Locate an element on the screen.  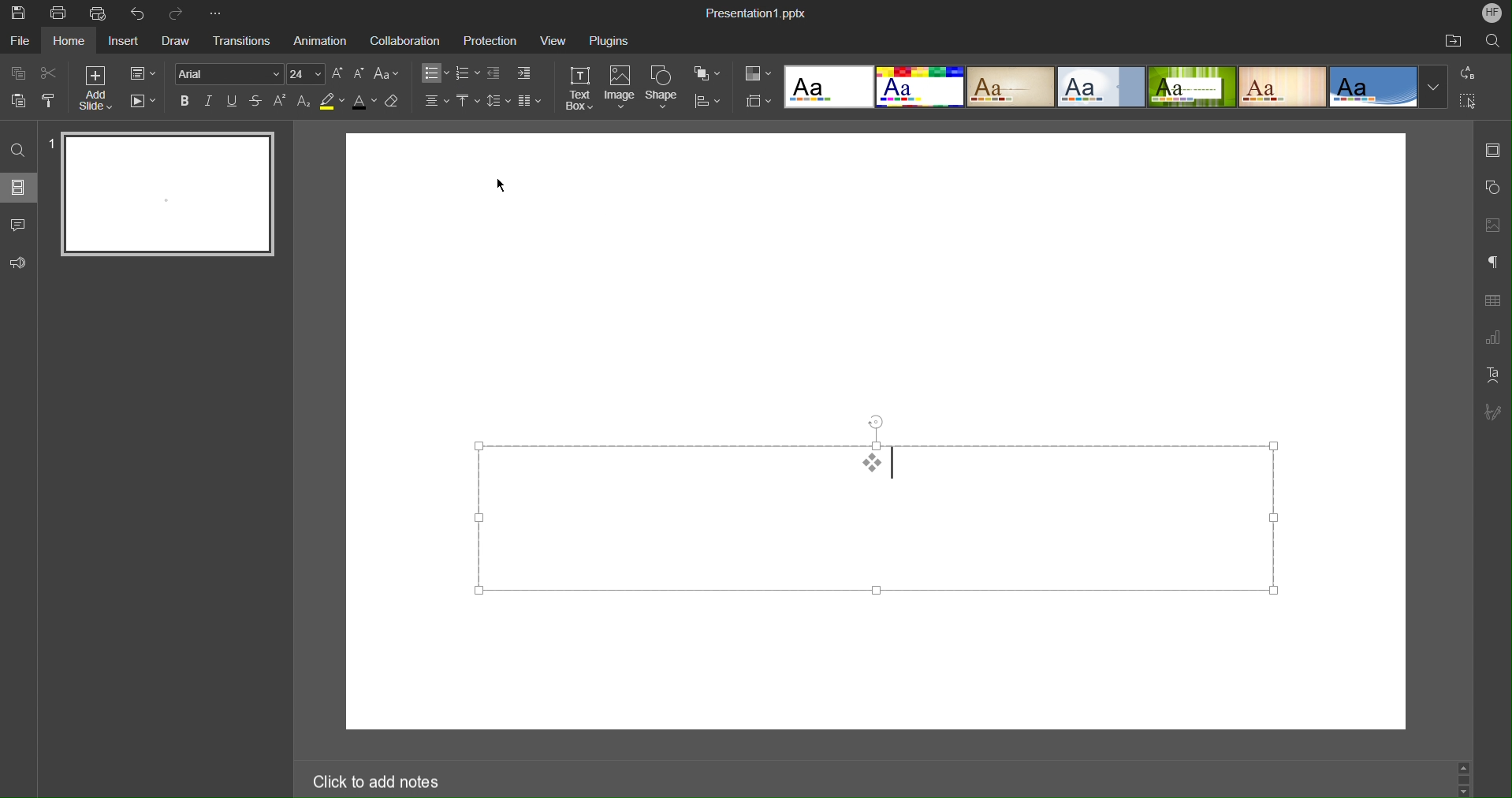
template is located at coordinates (1372, 87).